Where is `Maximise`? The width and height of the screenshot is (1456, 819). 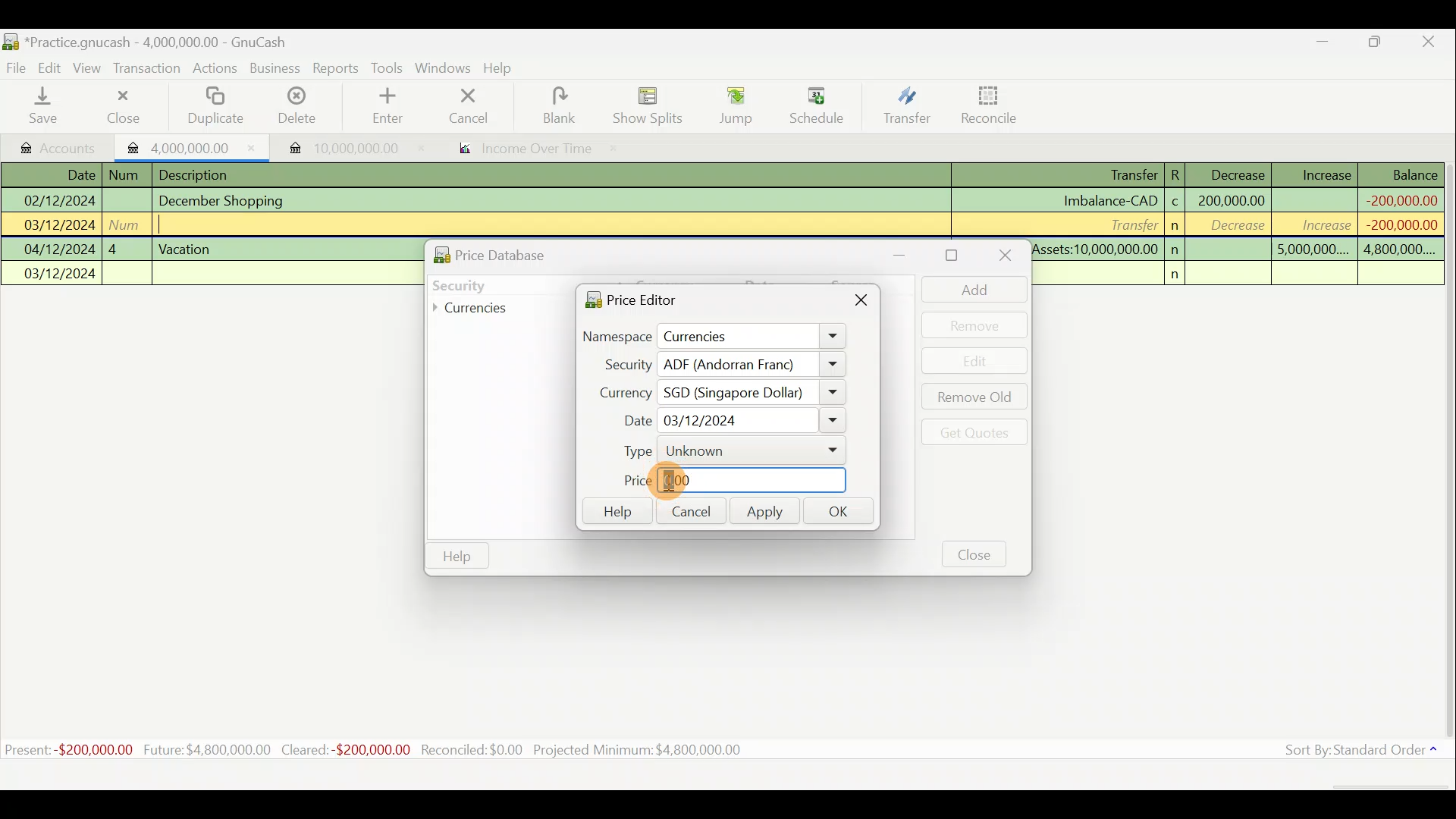
Maximise is located at coordinates (954, 256).